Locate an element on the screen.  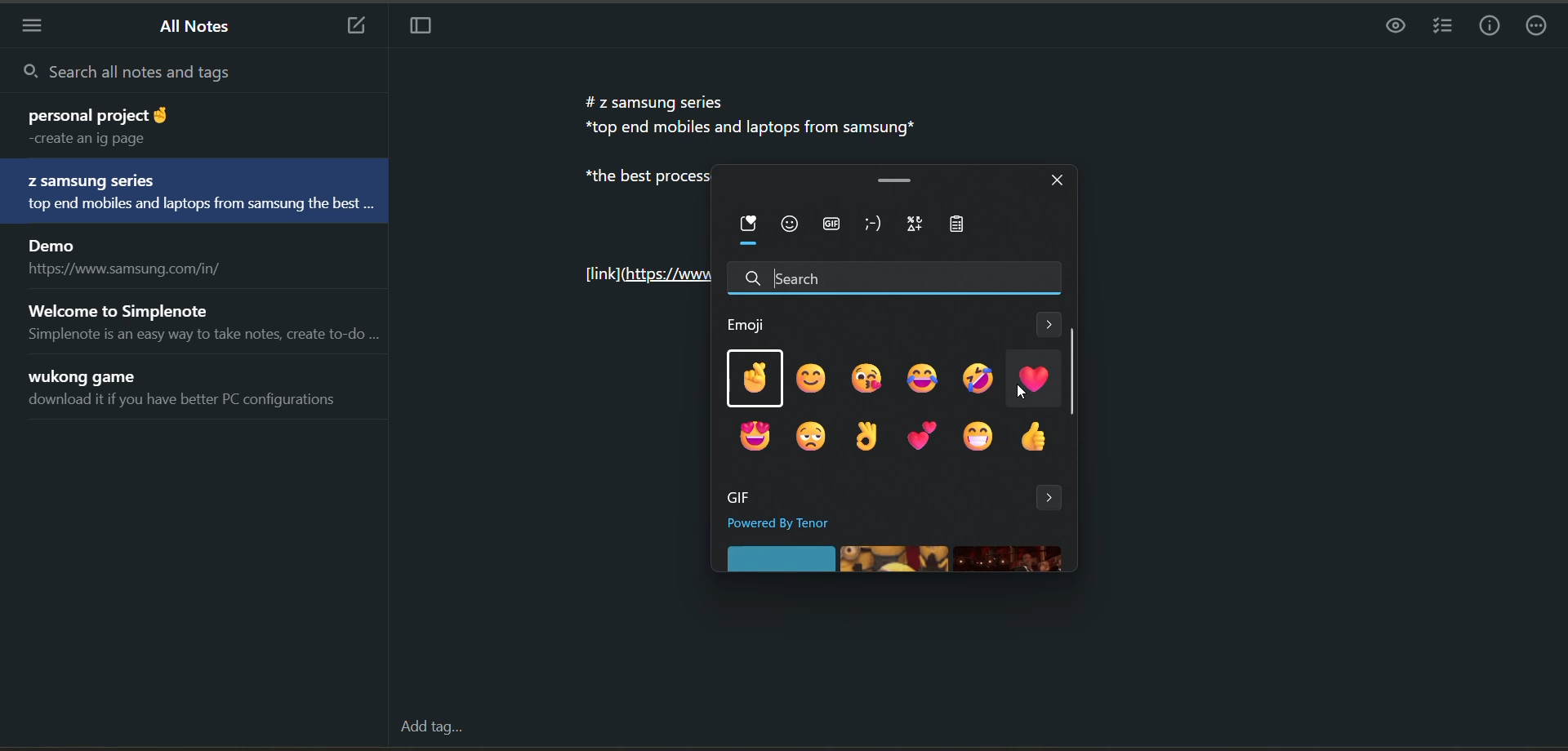
new note is located at coordinates (355, 26).